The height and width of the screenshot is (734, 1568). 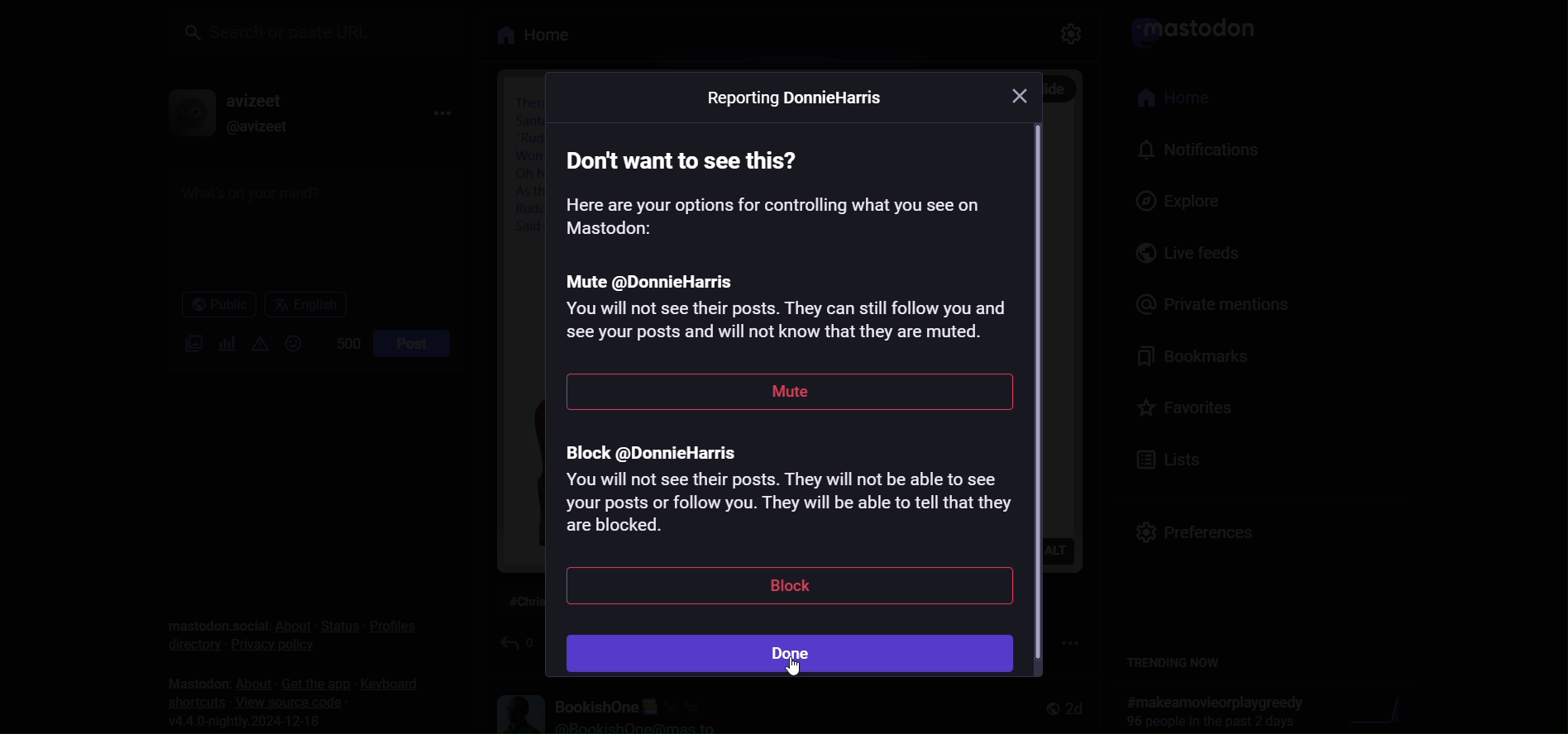 What do you see at coordinates (189, 679) in the screenshot?
I see `mastodon` at bounding box center [189, 679].